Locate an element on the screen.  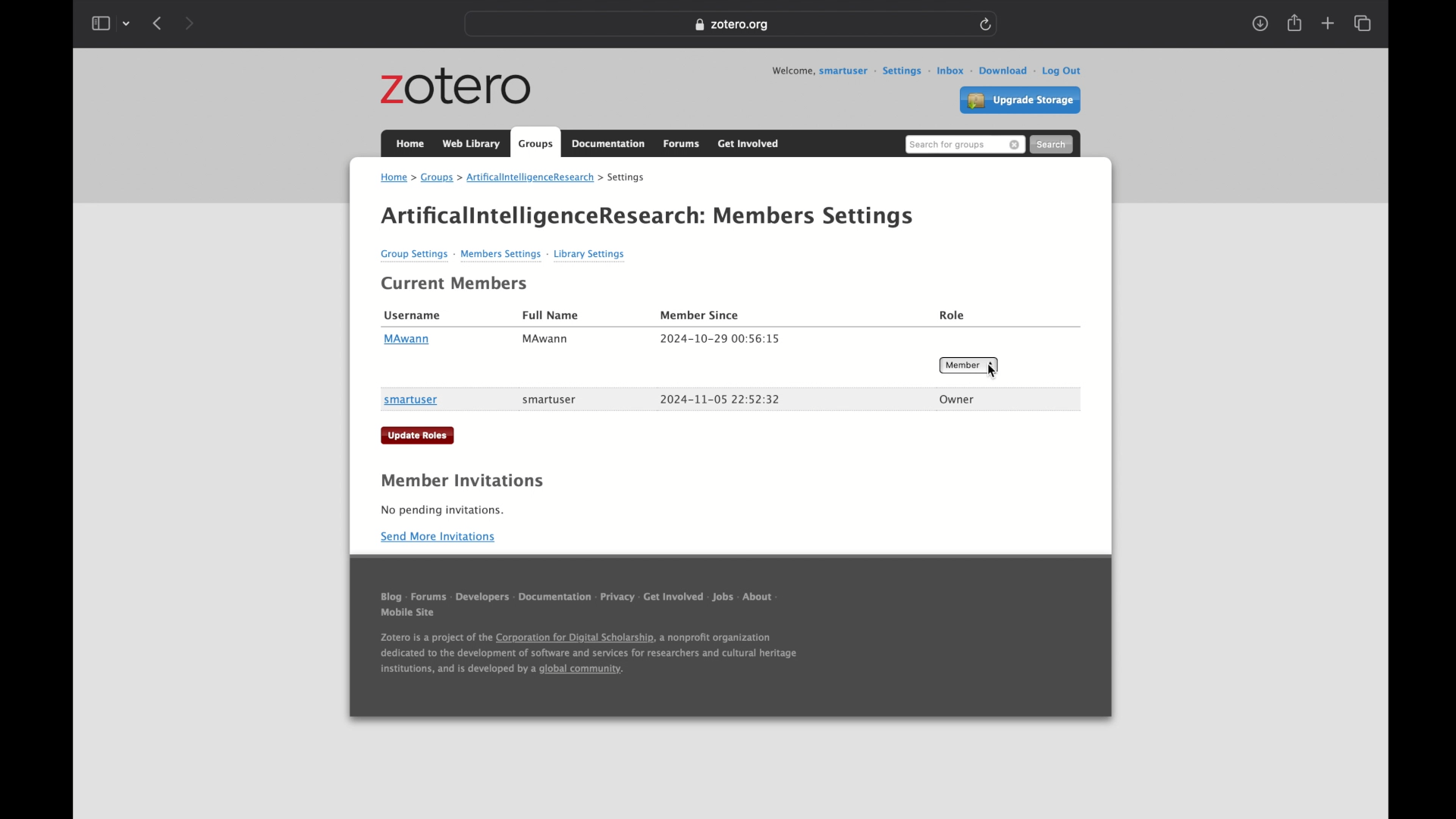
web library is located at coordinates (472, 144).